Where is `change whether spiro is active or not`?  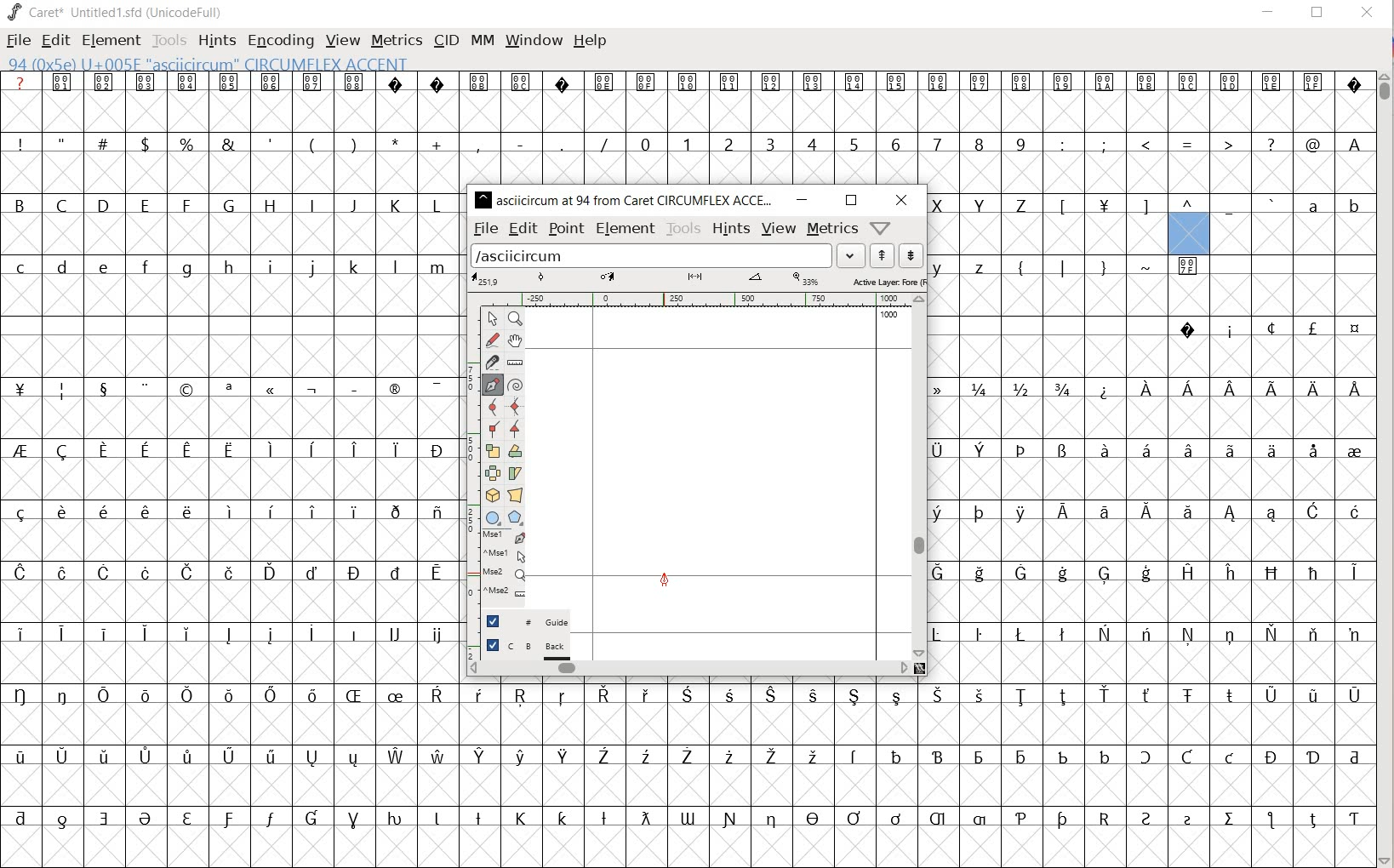
change whether spiro is active or not is located at coordinates (517, 385).